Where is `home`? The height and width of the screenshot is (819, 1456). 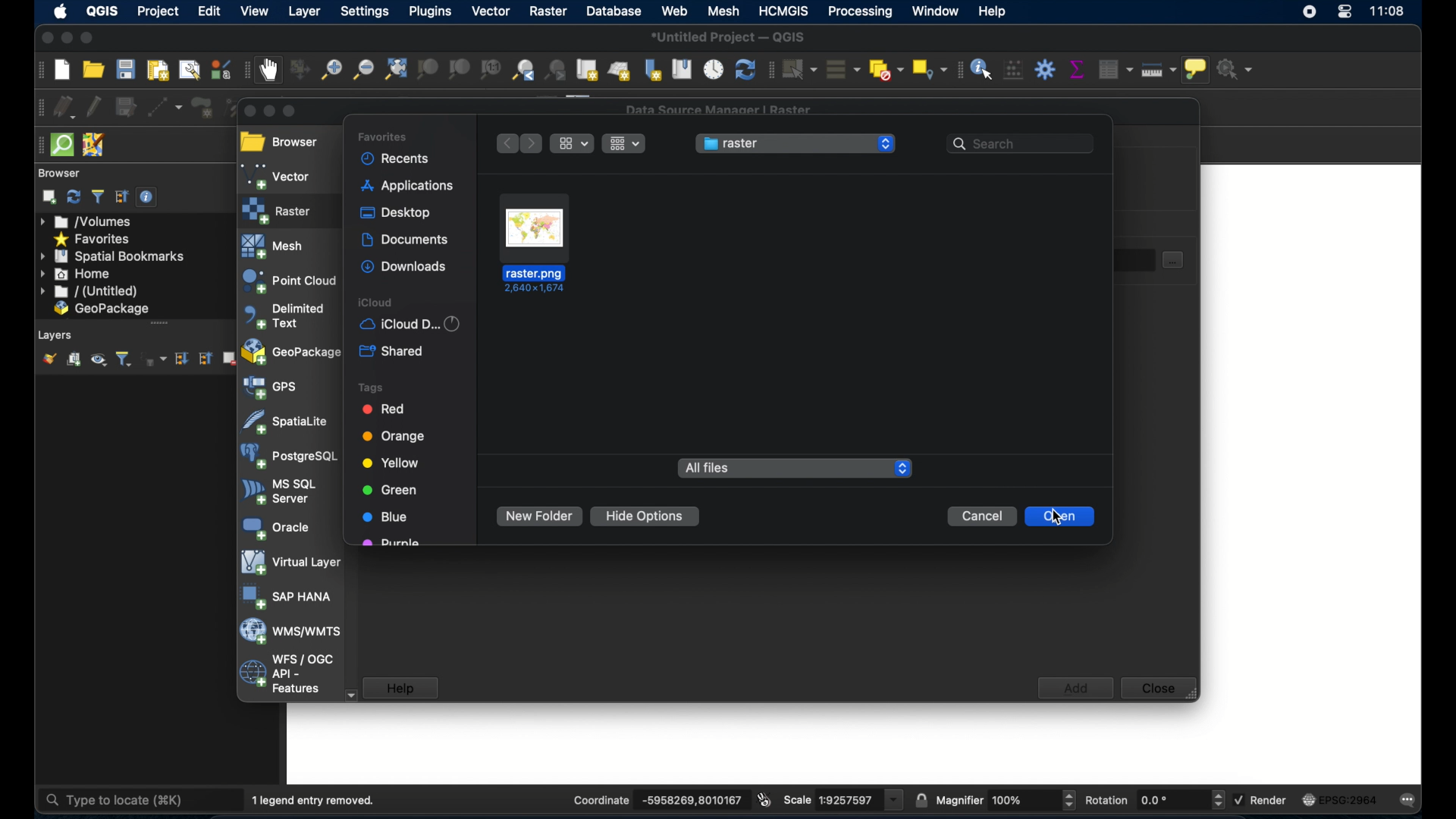
home is located at coordinates (77, 274).